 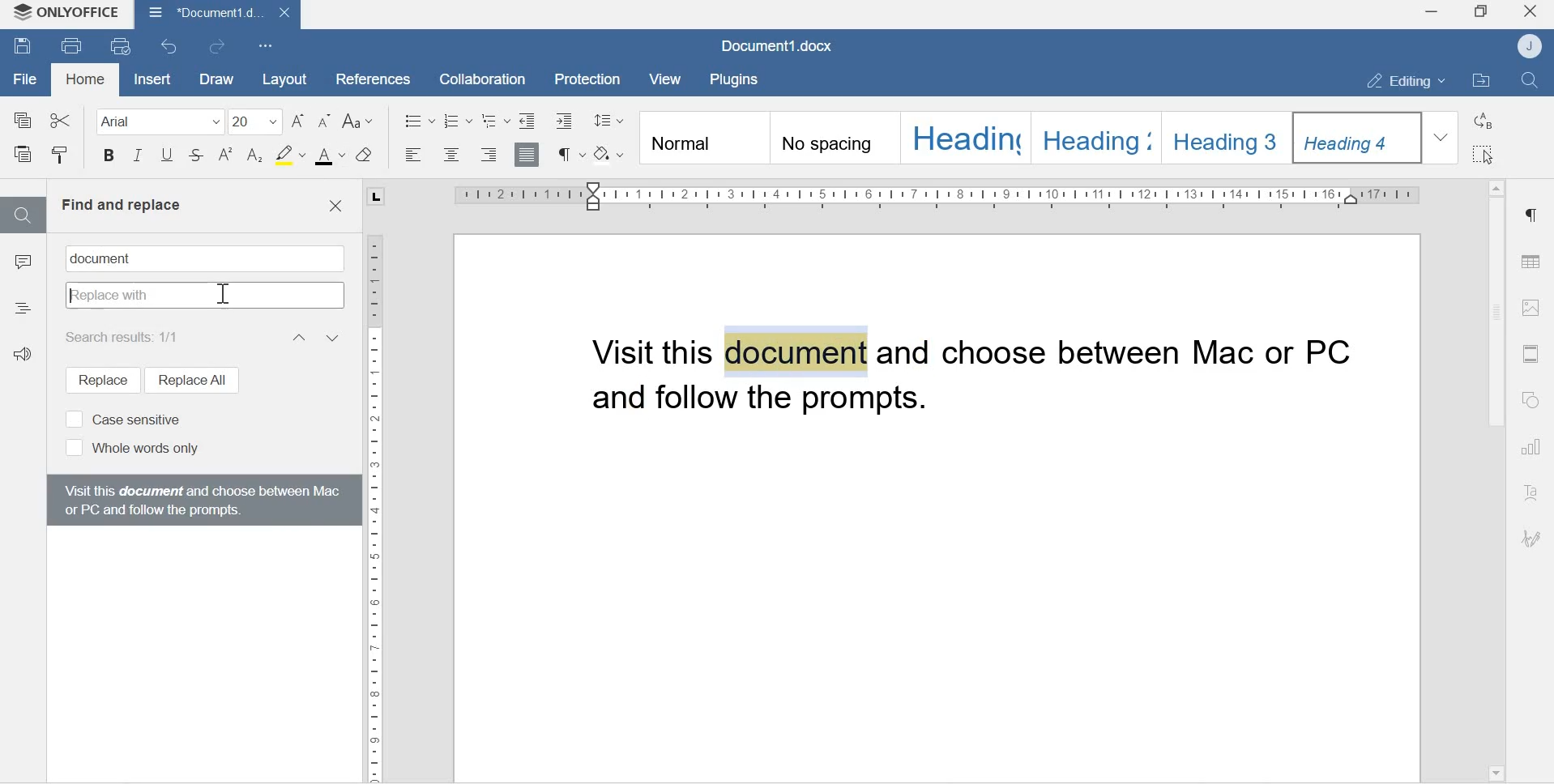 I want to click on Increment font size, so click(x=300, y=121).